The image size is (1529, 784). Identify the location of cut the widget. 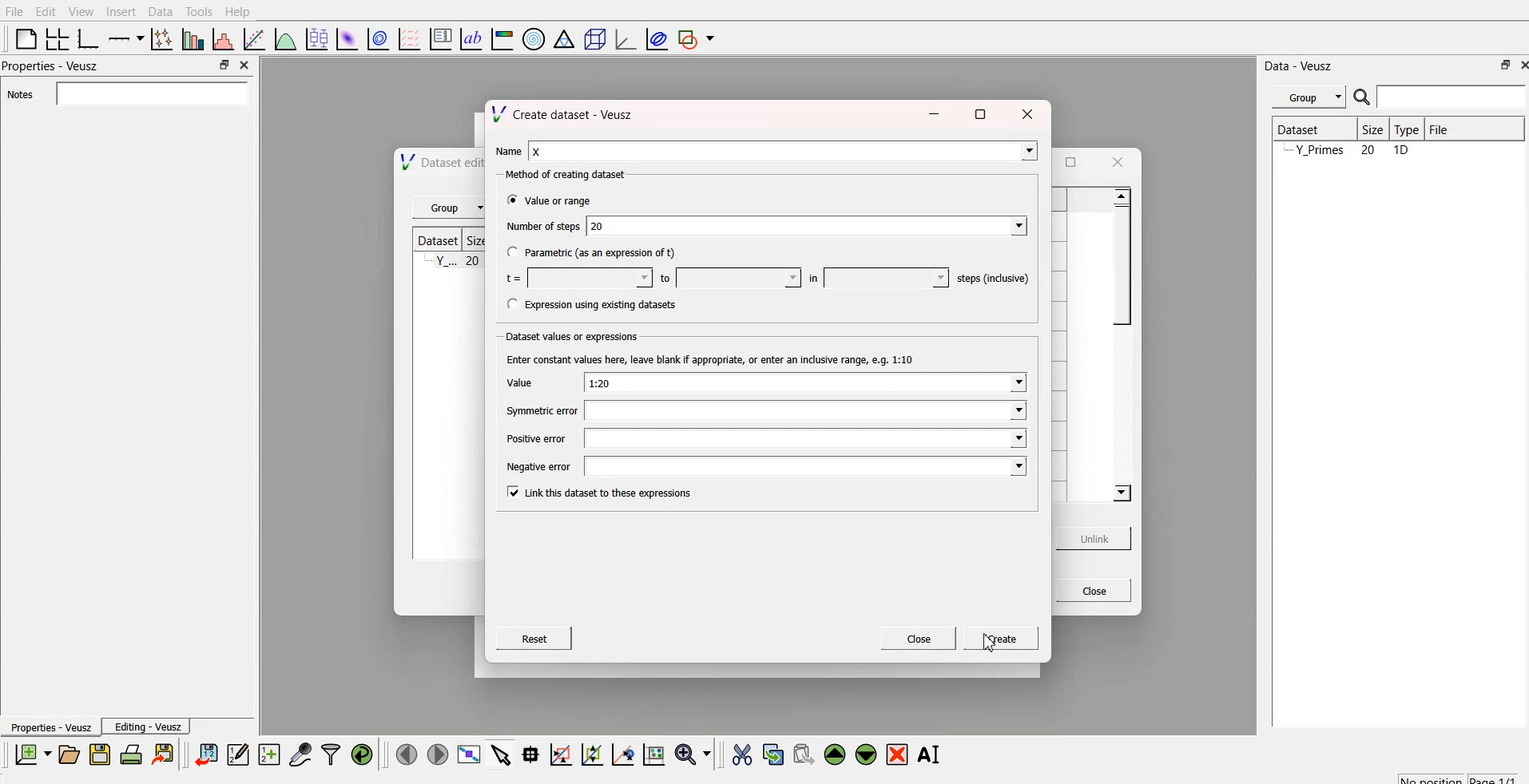
(738, 754).